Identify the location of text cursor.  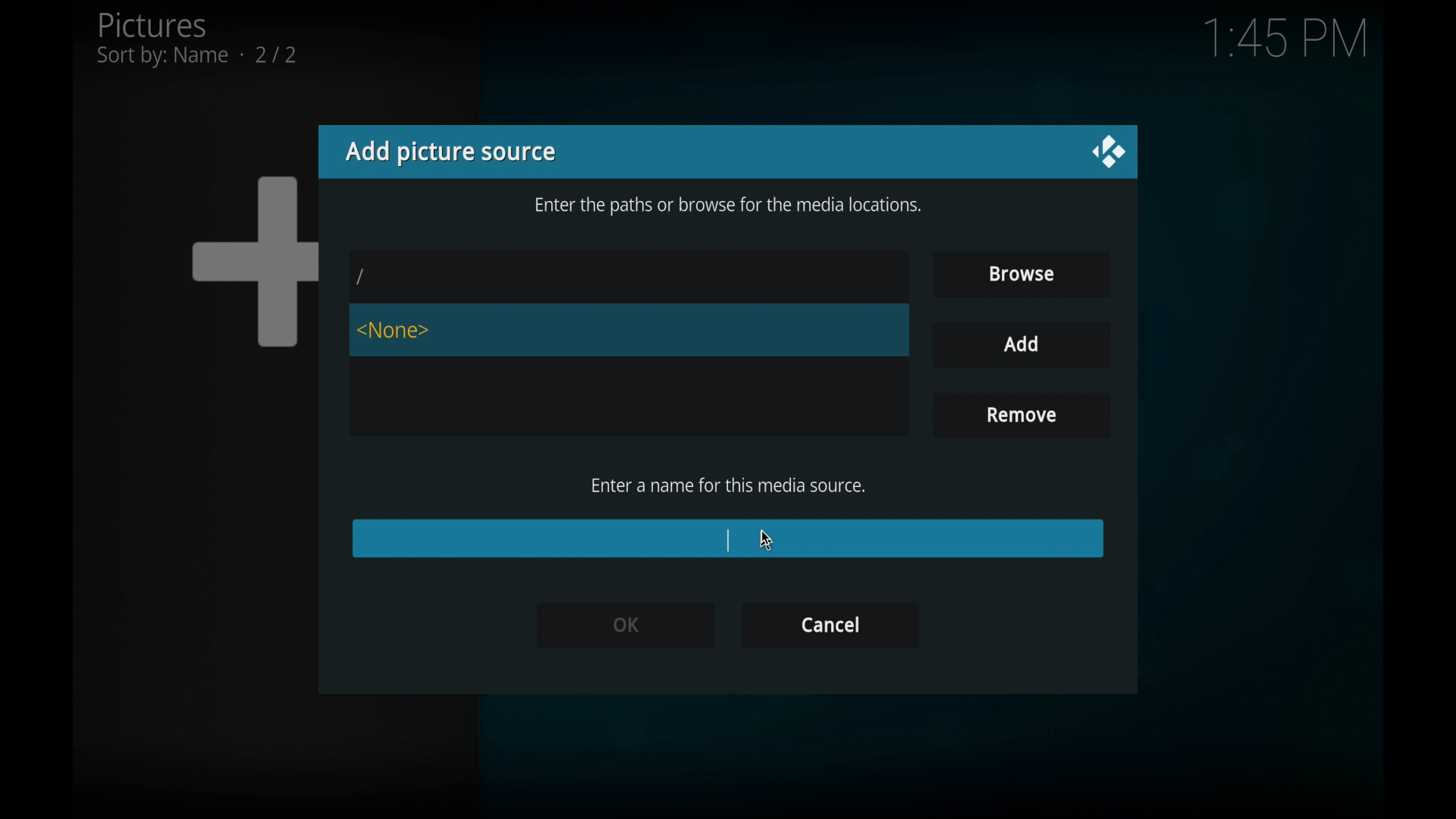
(728, 539).